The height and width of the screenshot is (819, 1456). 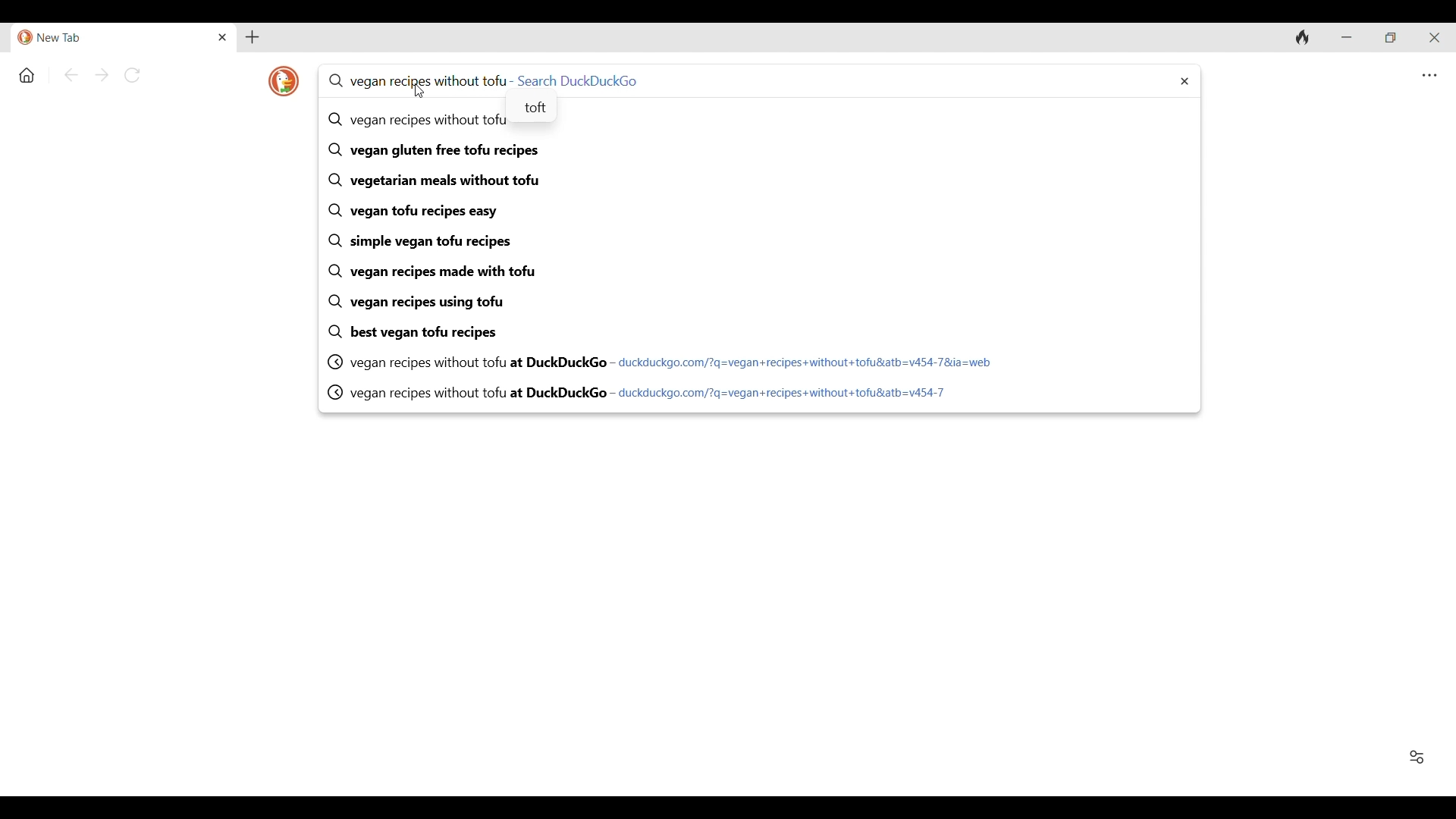 What do you see at coordinates (483, 80) in the screenshot?
I see `vegan recipes without tofu - Search DuckDuckGo` at bounding box center [483, 80].